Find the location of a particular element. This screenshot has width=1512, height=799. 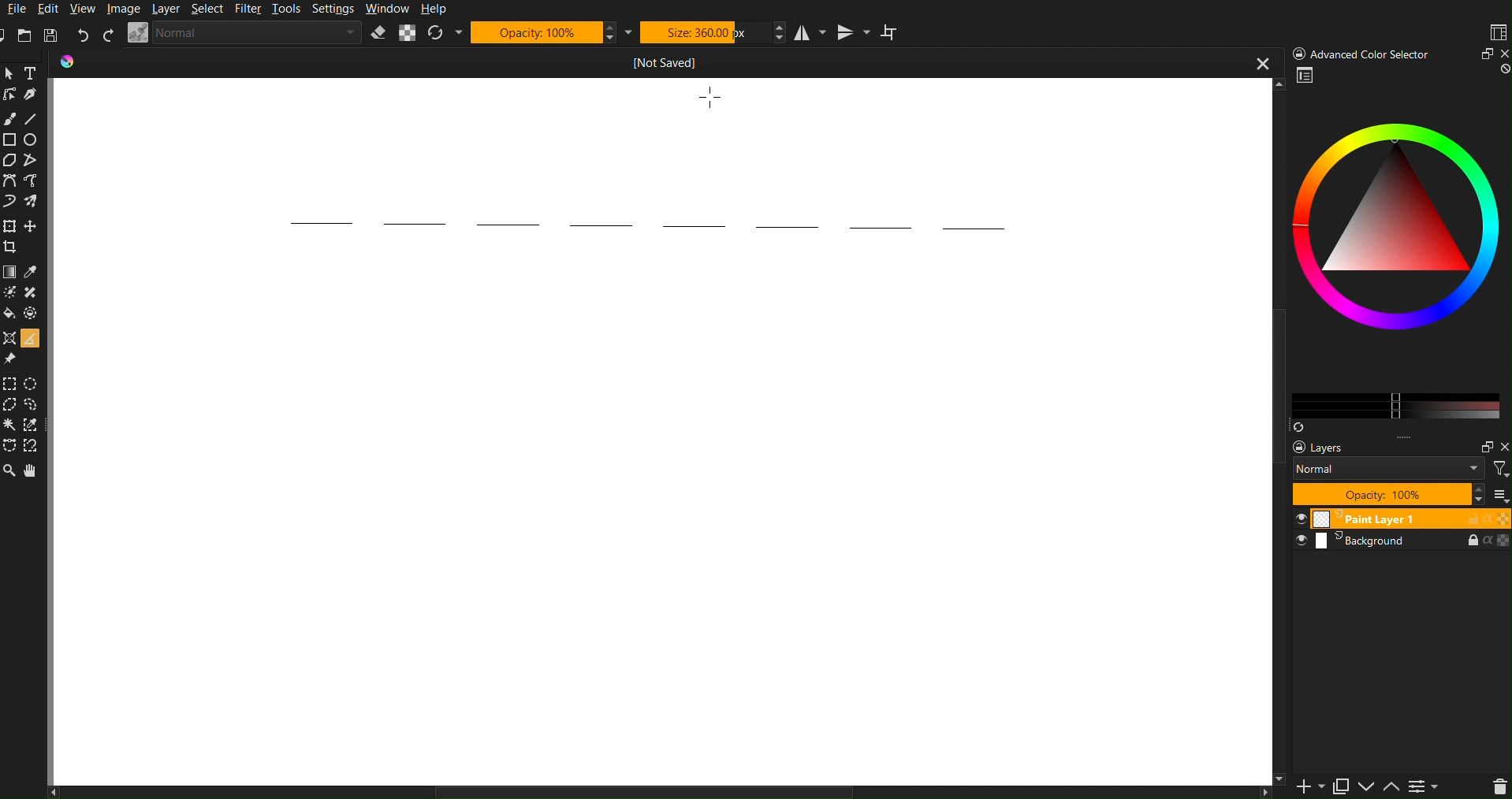

Delete is located at coordinates (1498, 786).